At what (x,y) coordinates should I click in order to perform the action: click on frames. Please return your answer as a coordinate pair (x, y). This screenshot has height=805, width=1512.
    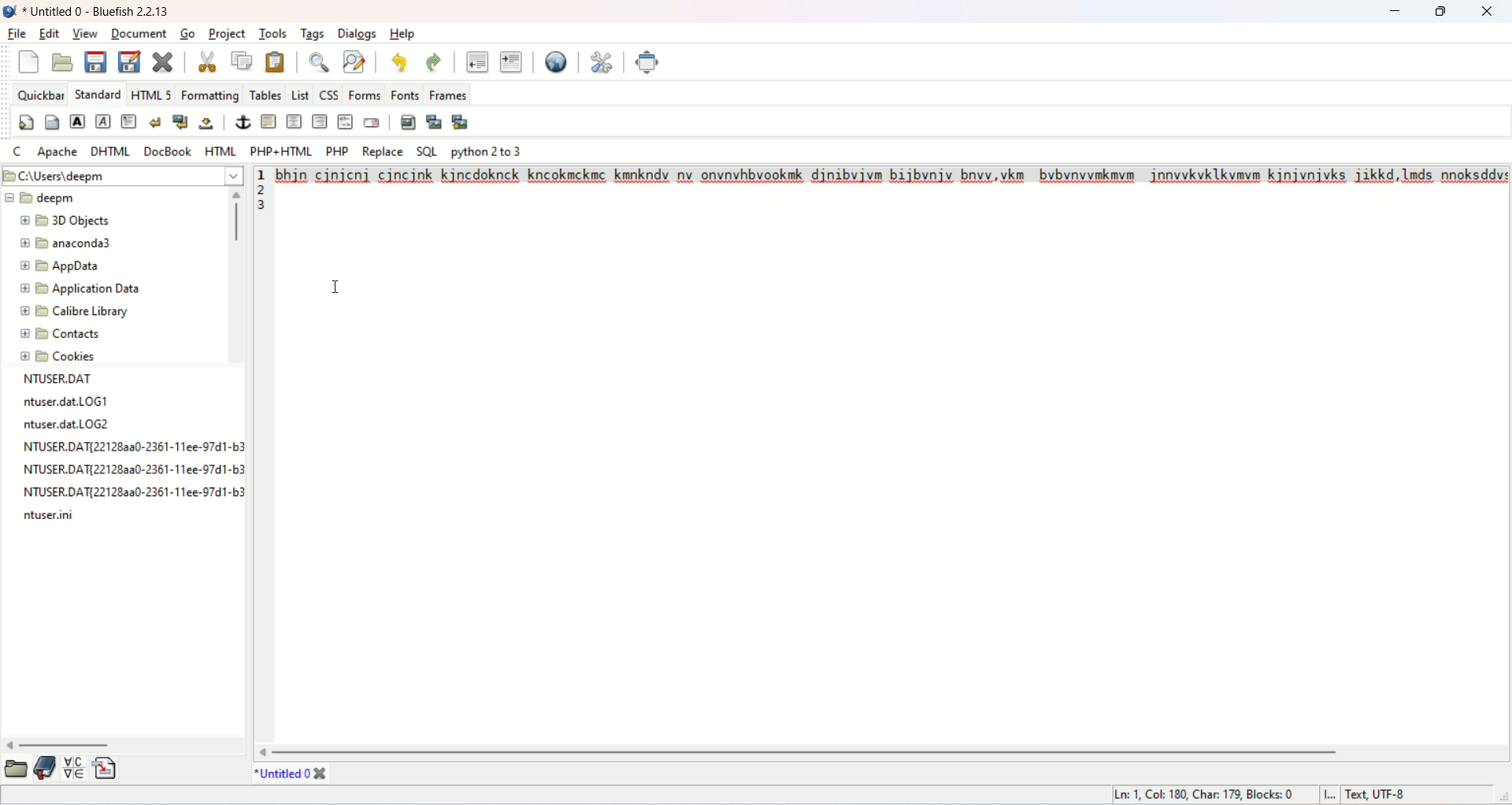
    Looking at the image, I should click on (450, 93).